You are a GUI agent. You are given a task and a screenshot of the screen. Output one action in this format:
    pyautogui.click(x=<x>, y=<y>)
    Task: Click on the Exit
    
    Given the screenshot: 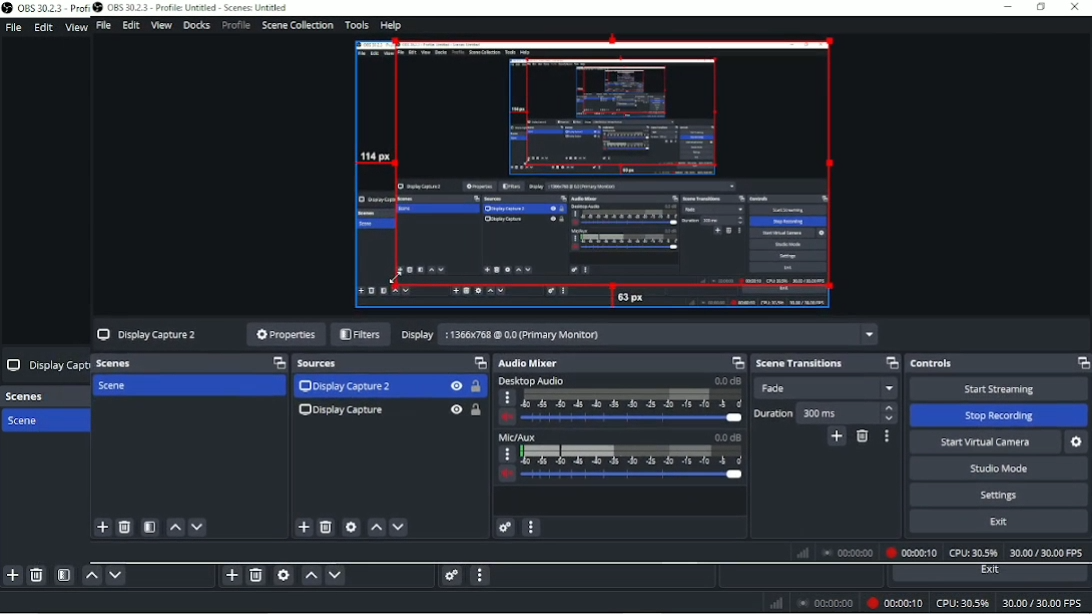 What is the action you would take?
    pyautogui.click(x=1006, y=524)
    